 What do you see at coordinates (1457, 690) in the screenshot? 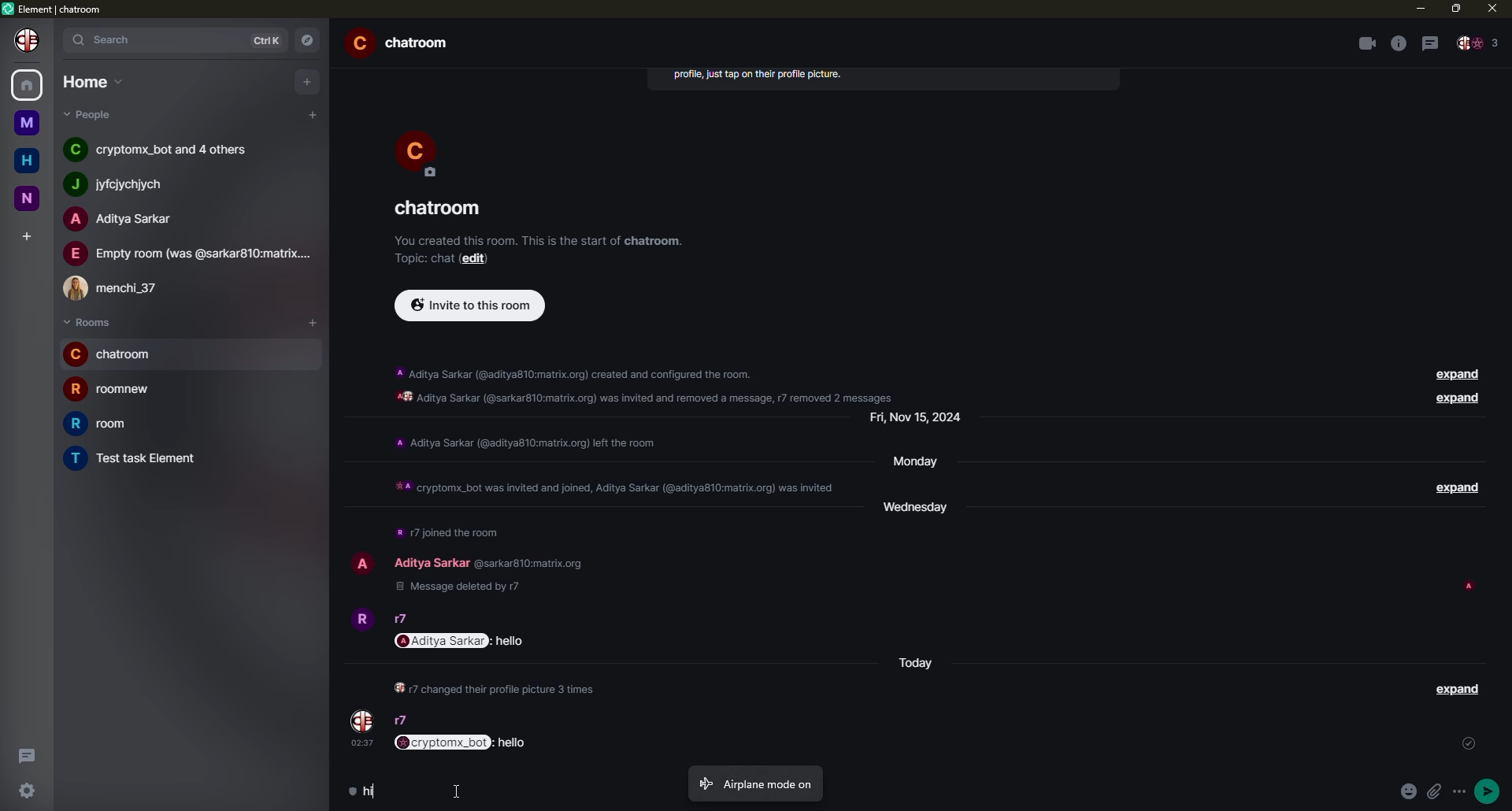
I see `expand` at bounding box center [1457, 690].